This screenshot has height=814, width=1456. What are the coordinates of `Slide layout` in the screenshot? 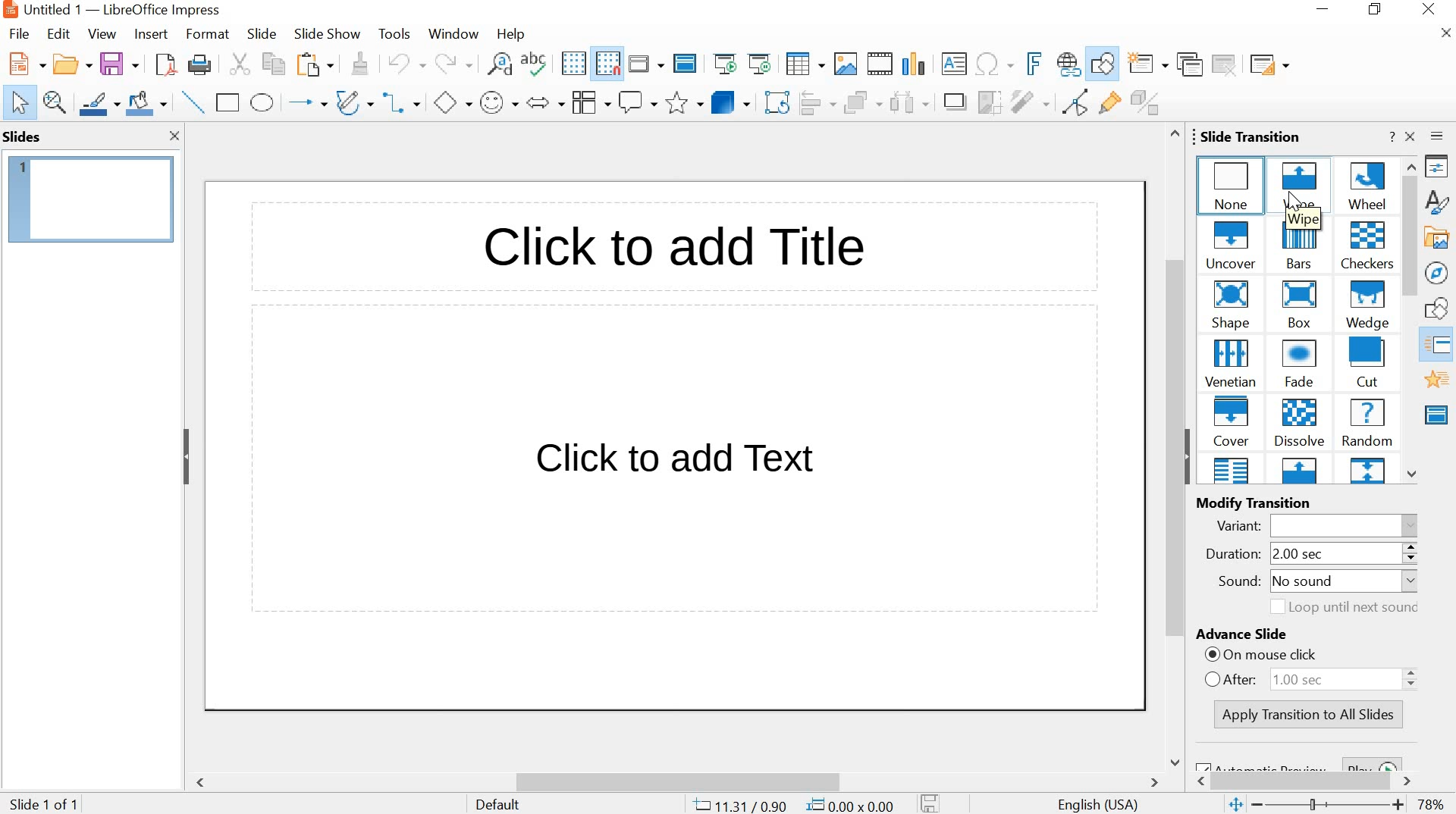 It's located at (1269, 61).